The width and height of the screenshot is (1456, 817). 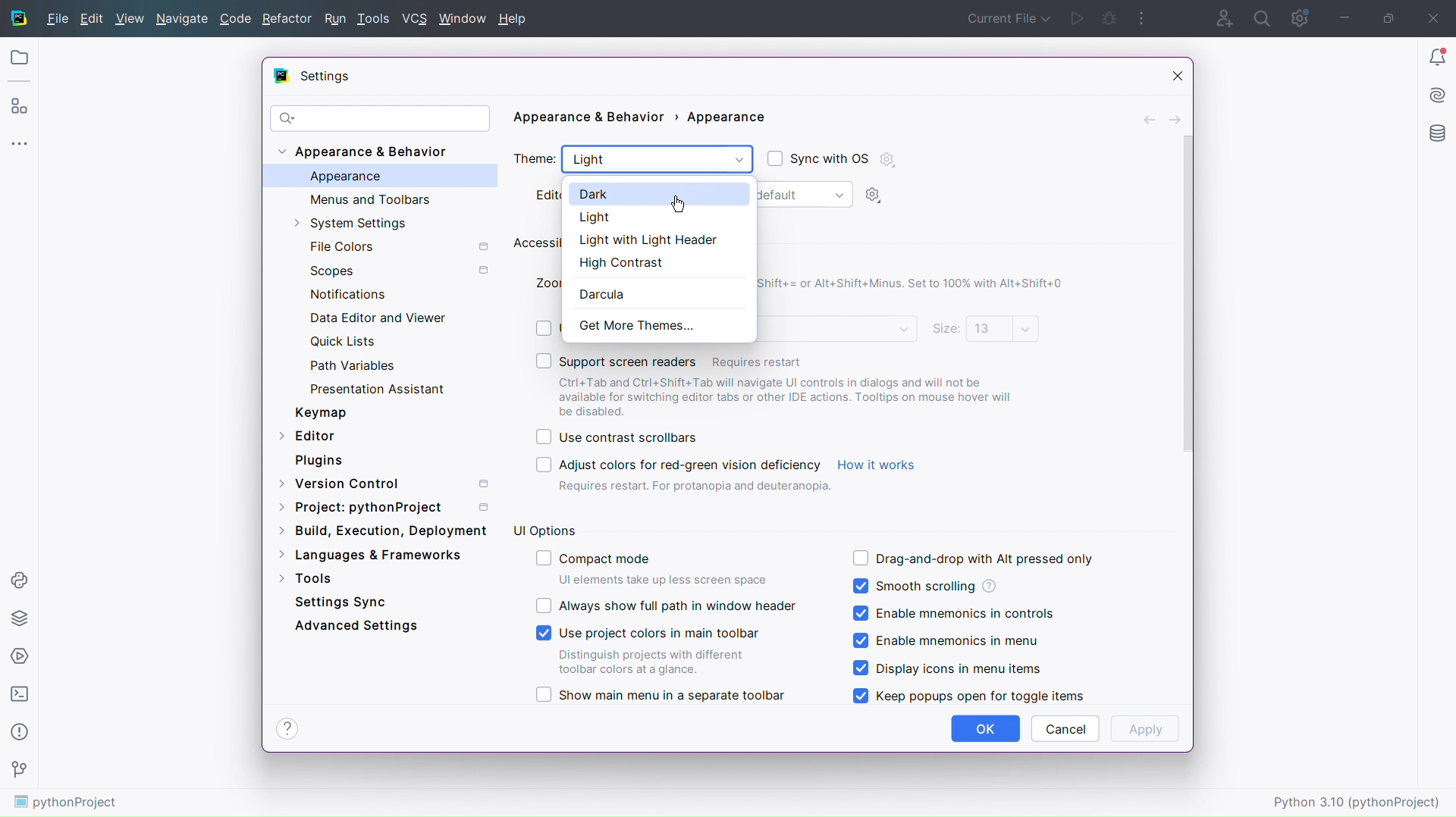 What do you see at coordinates (1388, 17) in the screenshot?
I see `Maximize` at bounding box center [1388, 17].